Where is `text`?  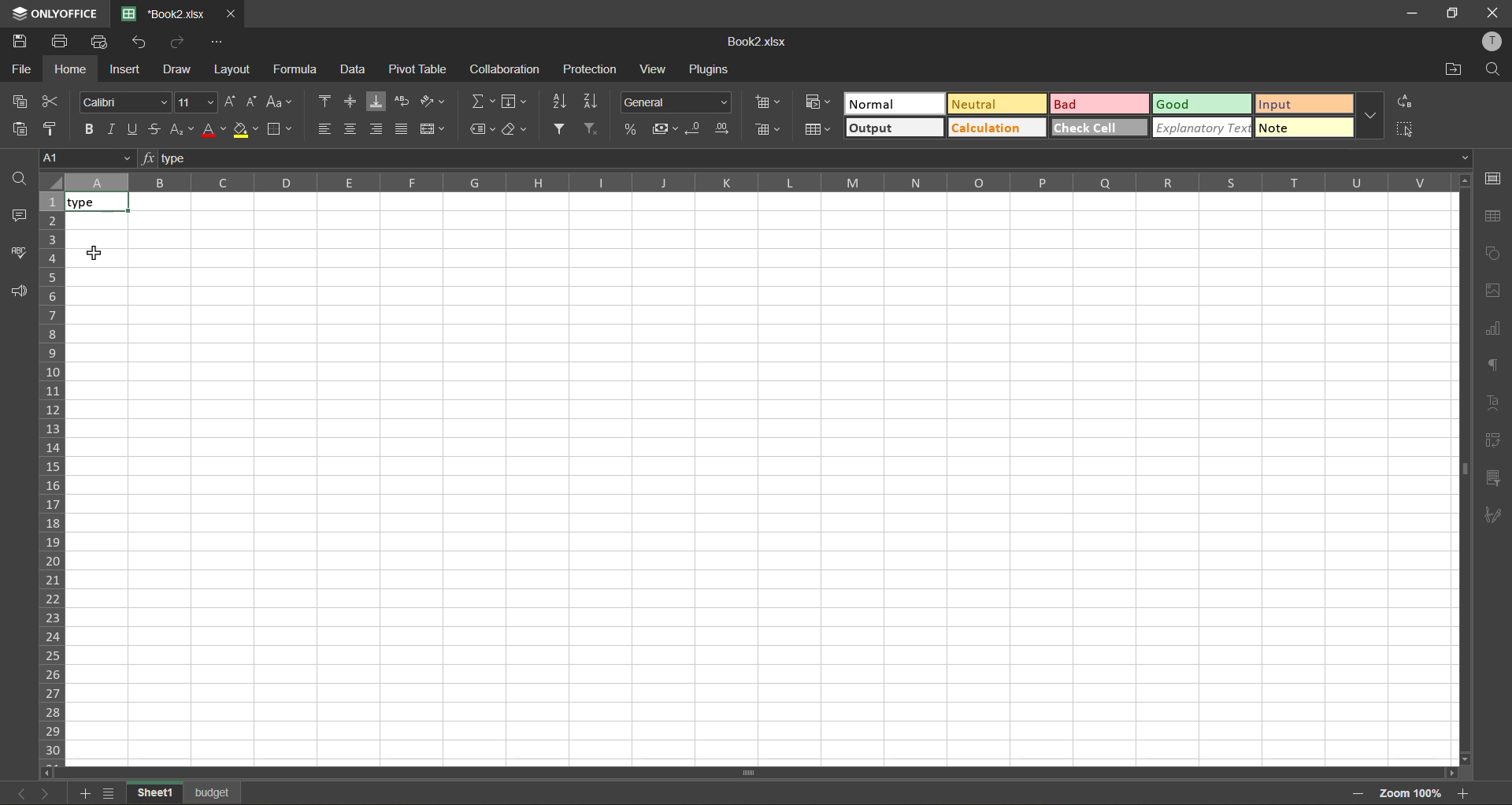 text is located at coordinates (1496, 400).